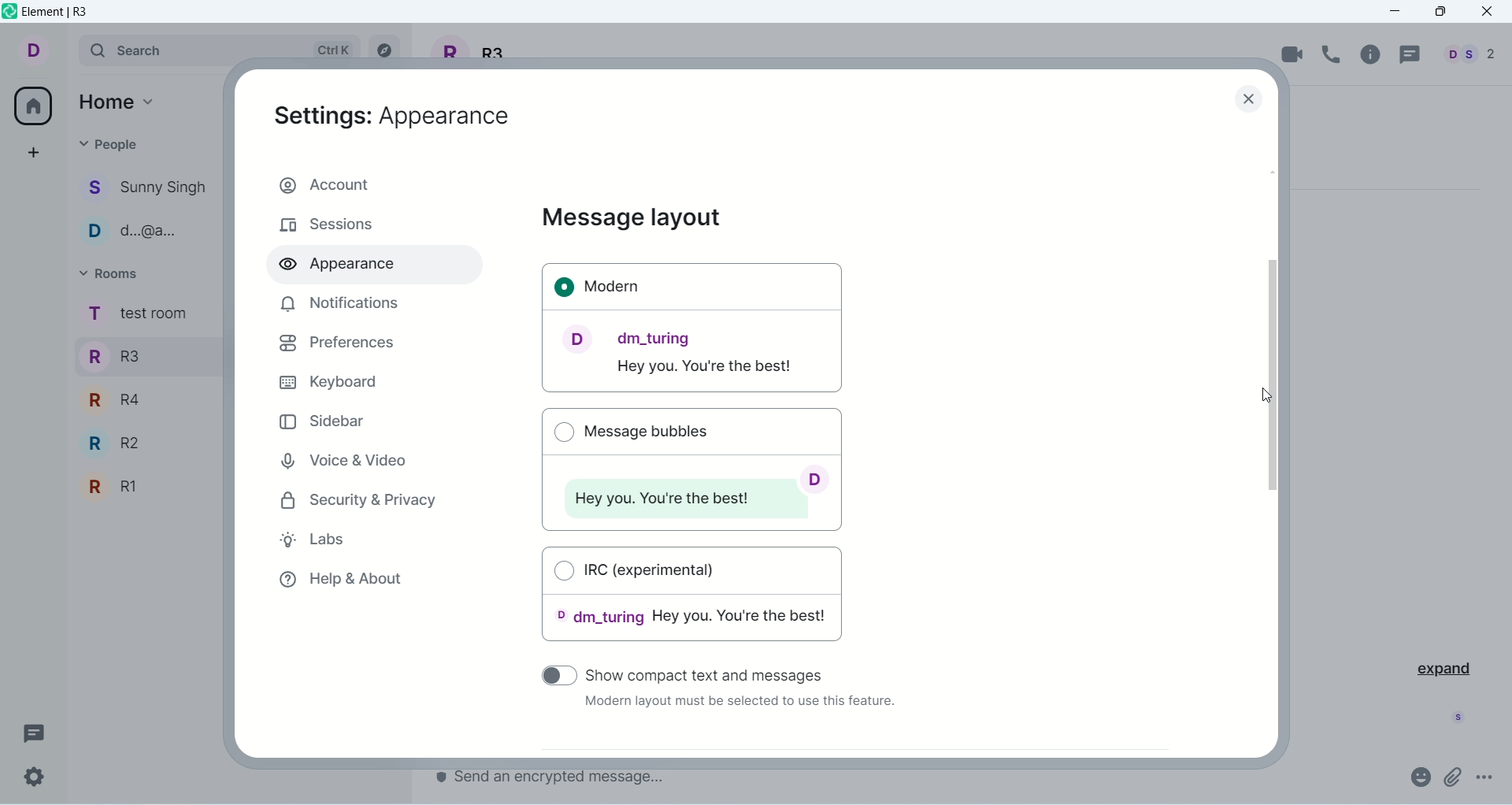 This screenshot has width=1512, height=805. What do you see at coordinates (34, 730) in the screenshot?
I see `threads` at bounding box center [34, 730].